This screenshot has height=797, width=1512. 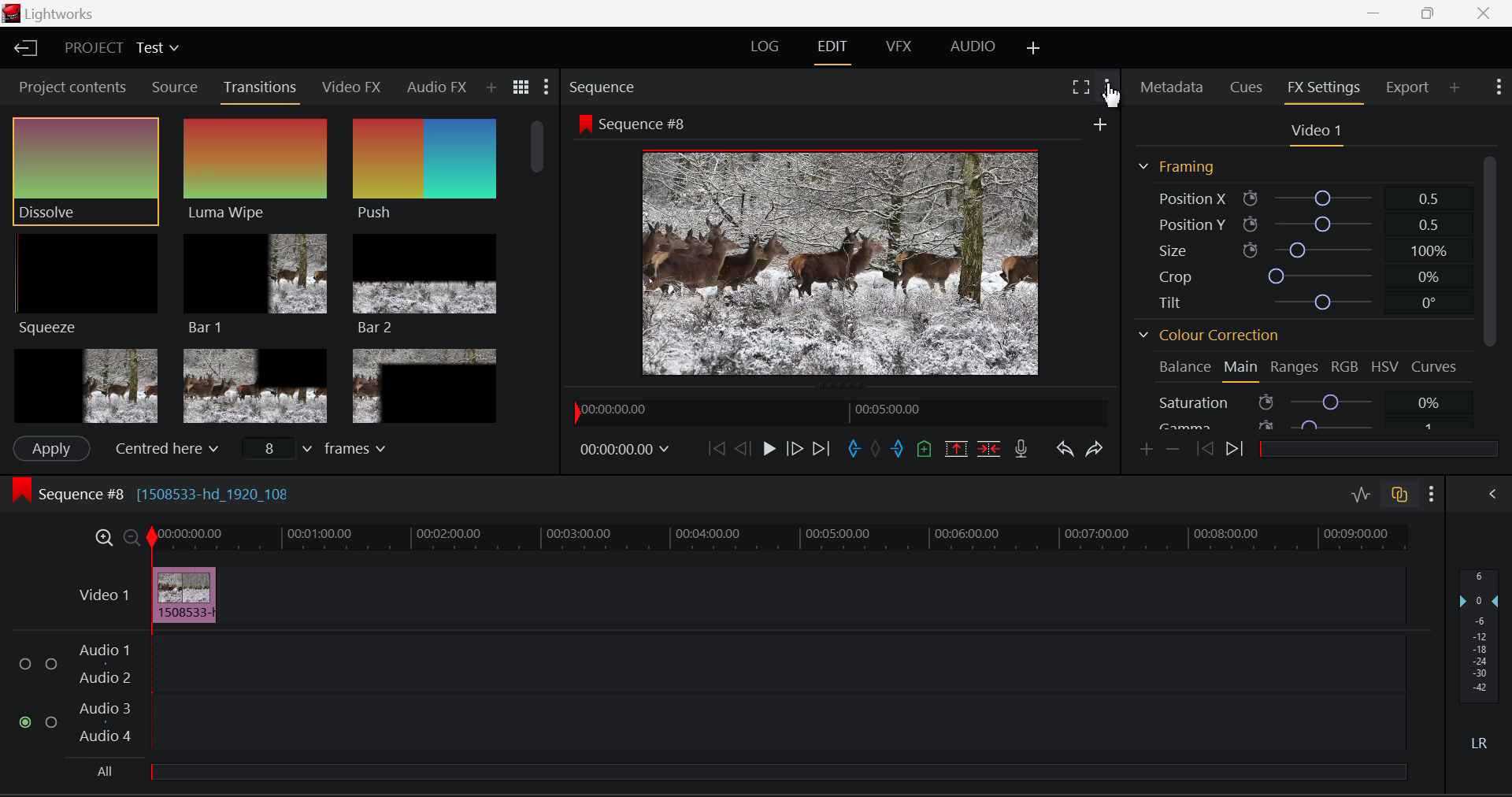 I want to click on Dissolve, so click(x=85, y=170).